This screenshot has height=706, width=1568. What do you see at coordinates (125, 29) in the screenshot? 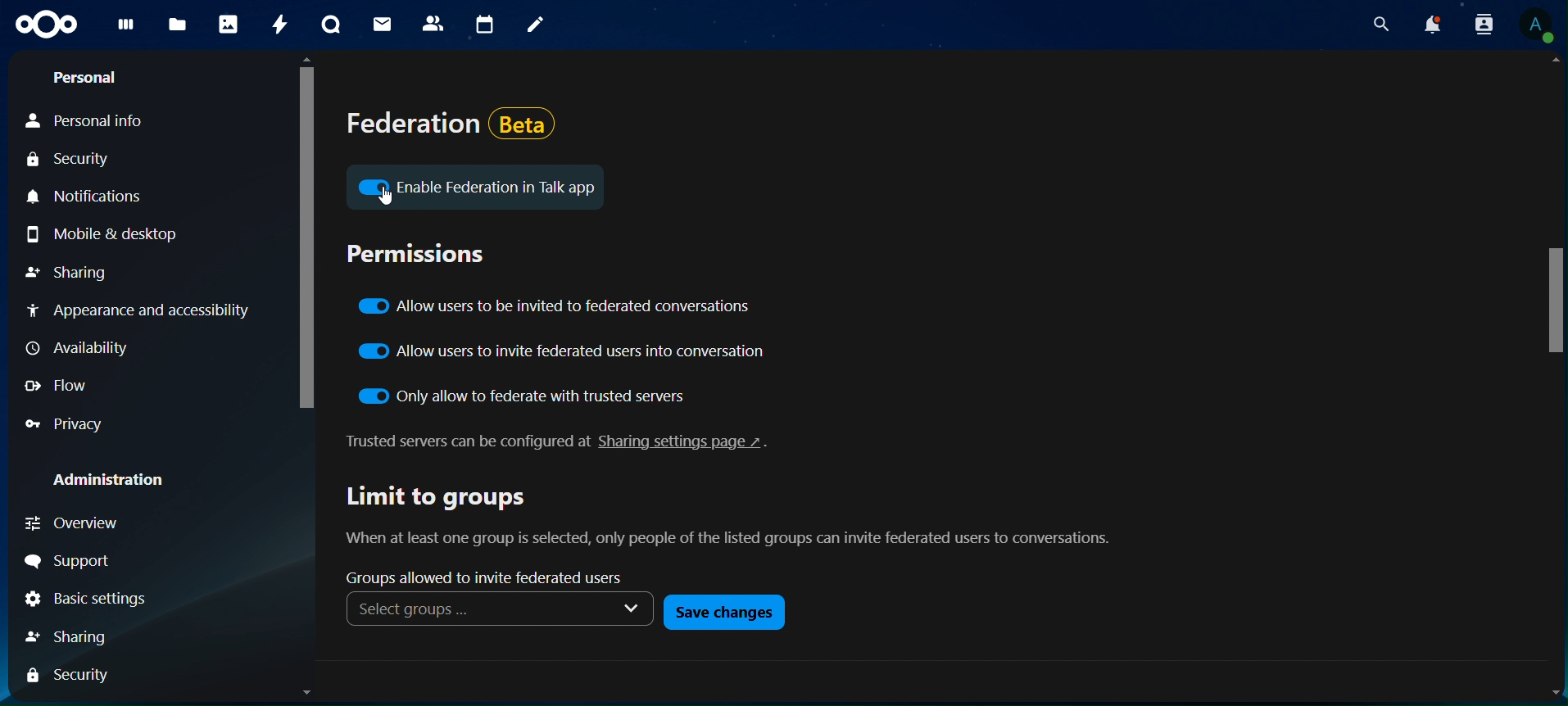
I see `dashboard` at bounding box center [125, 29].